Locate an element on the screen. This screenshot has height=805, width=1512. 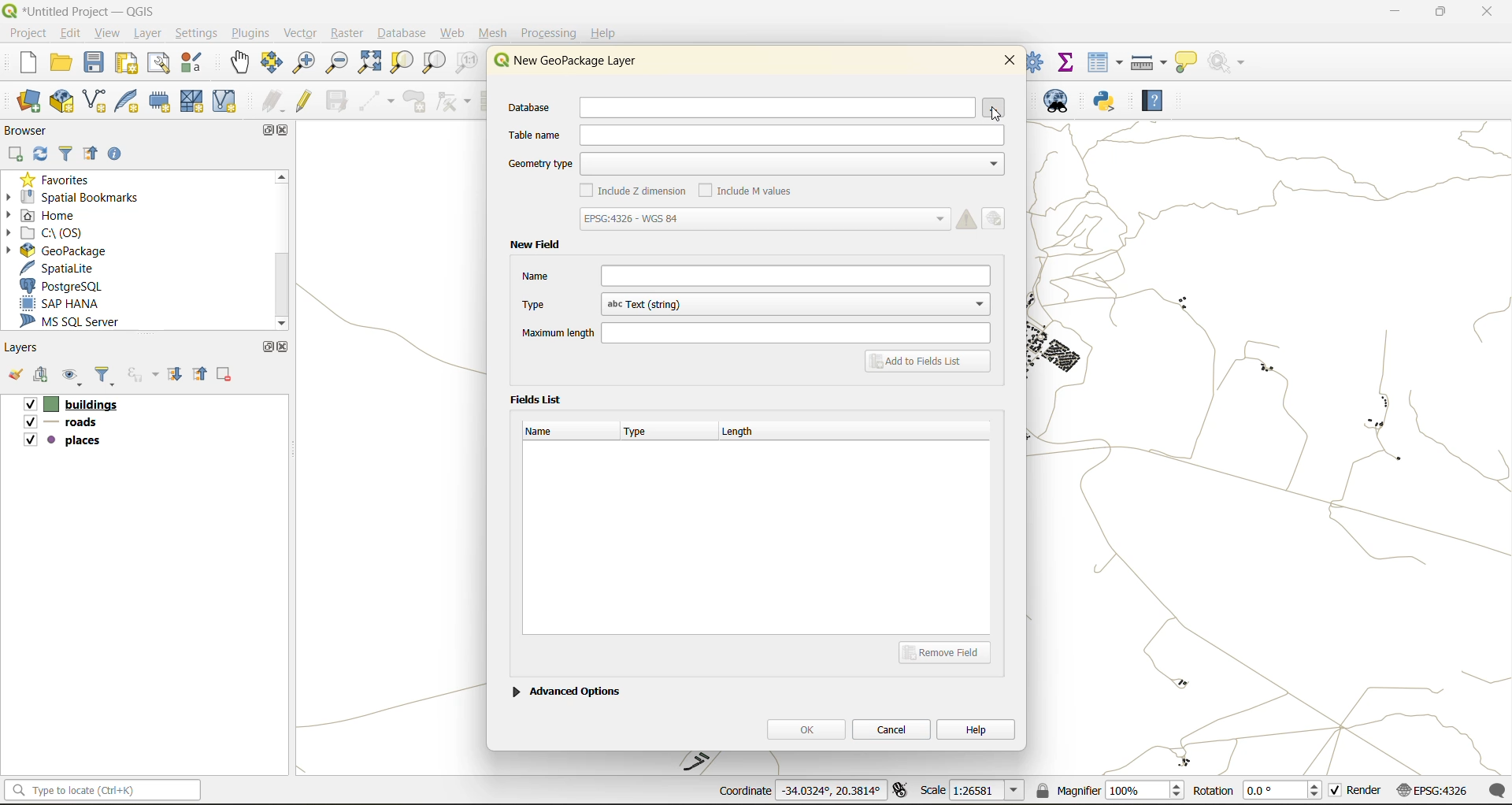
c\:os is located at coordinates (59, 232).